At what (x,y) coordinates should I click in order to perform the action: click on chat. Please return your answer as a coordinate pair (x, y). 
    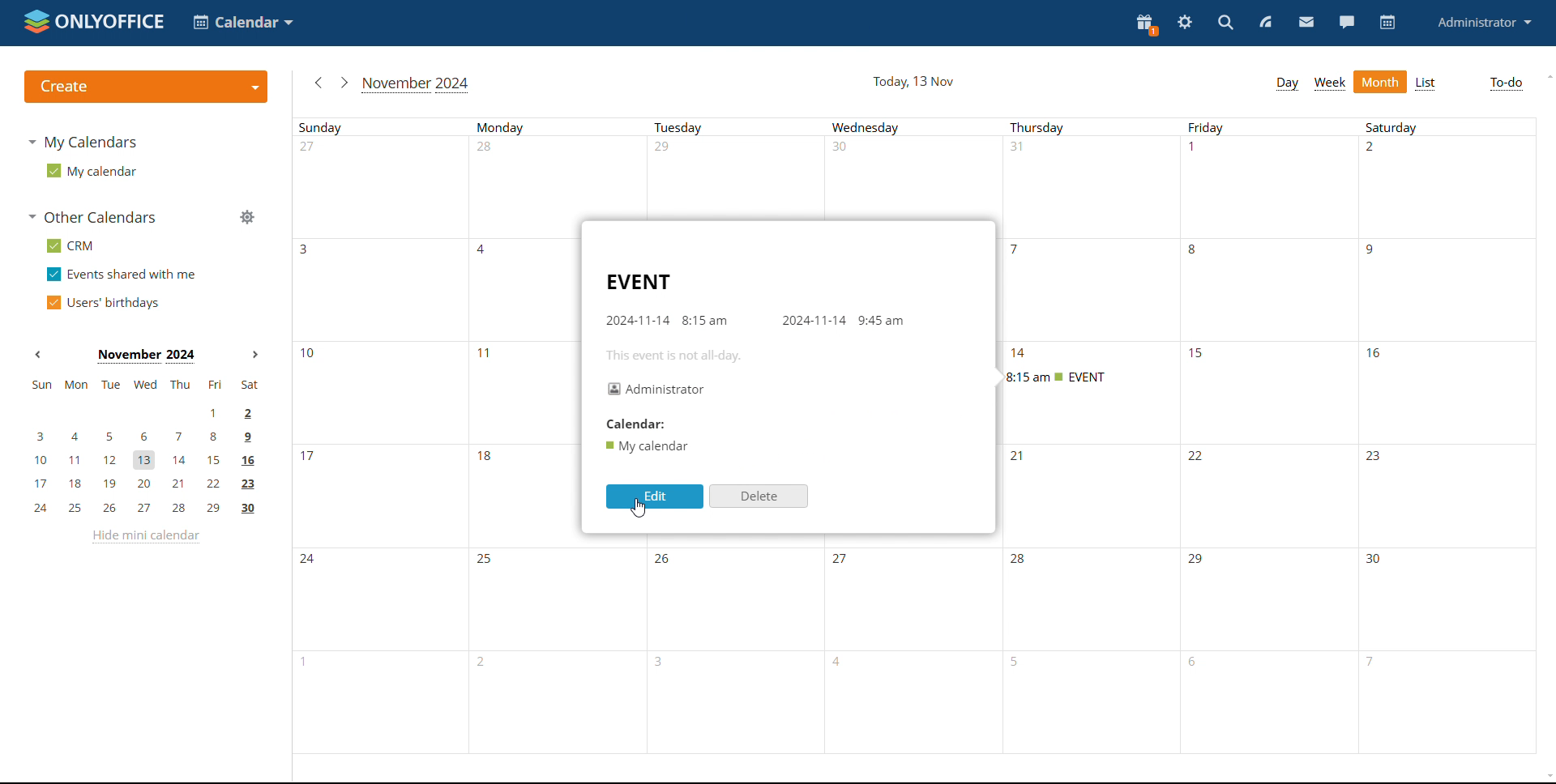
    Looking at the image, I should click on (1346, 21).